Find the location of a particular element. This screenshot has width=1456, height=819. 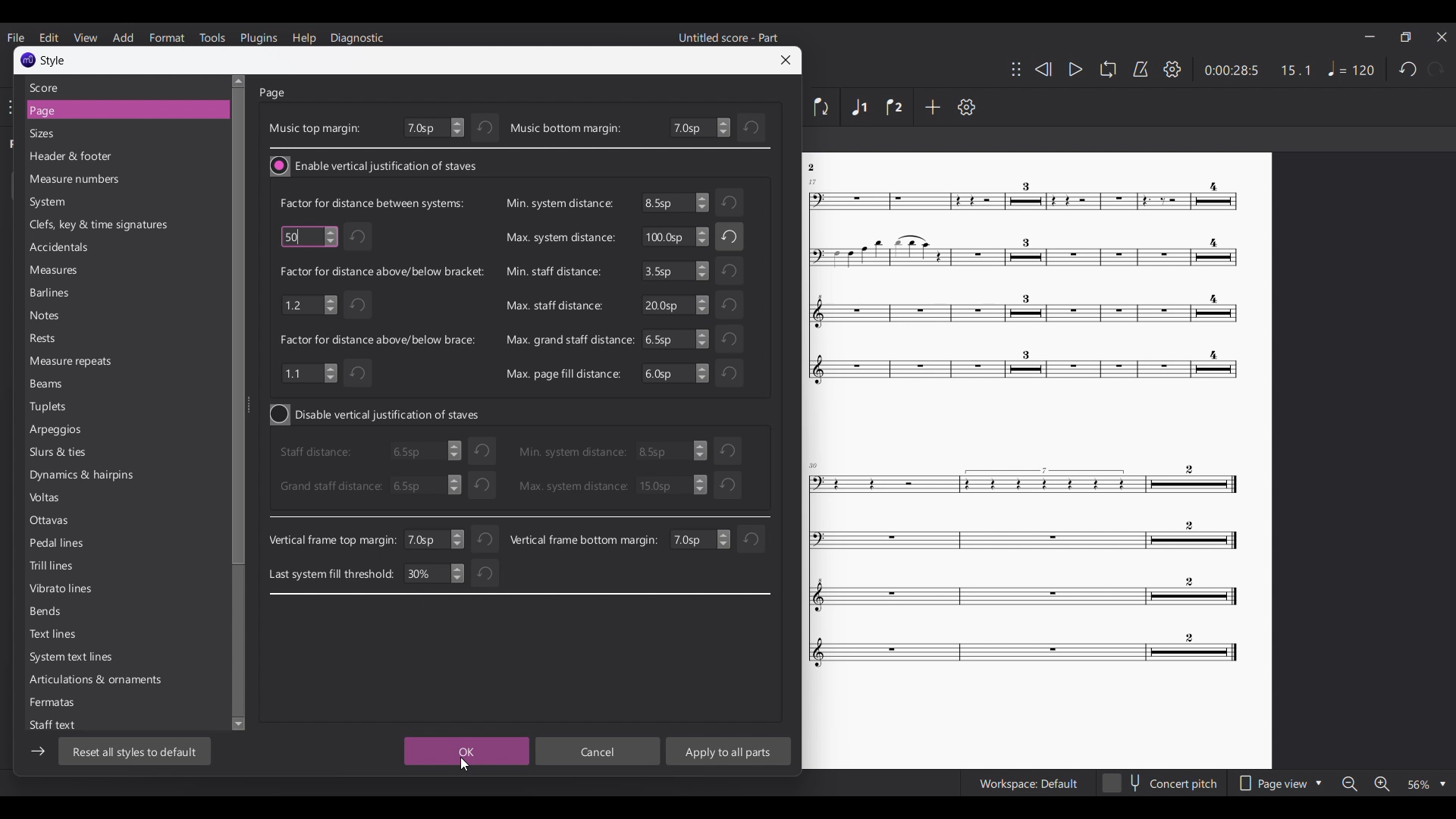

Bottom margin settings is located at coordinates (700, 127).